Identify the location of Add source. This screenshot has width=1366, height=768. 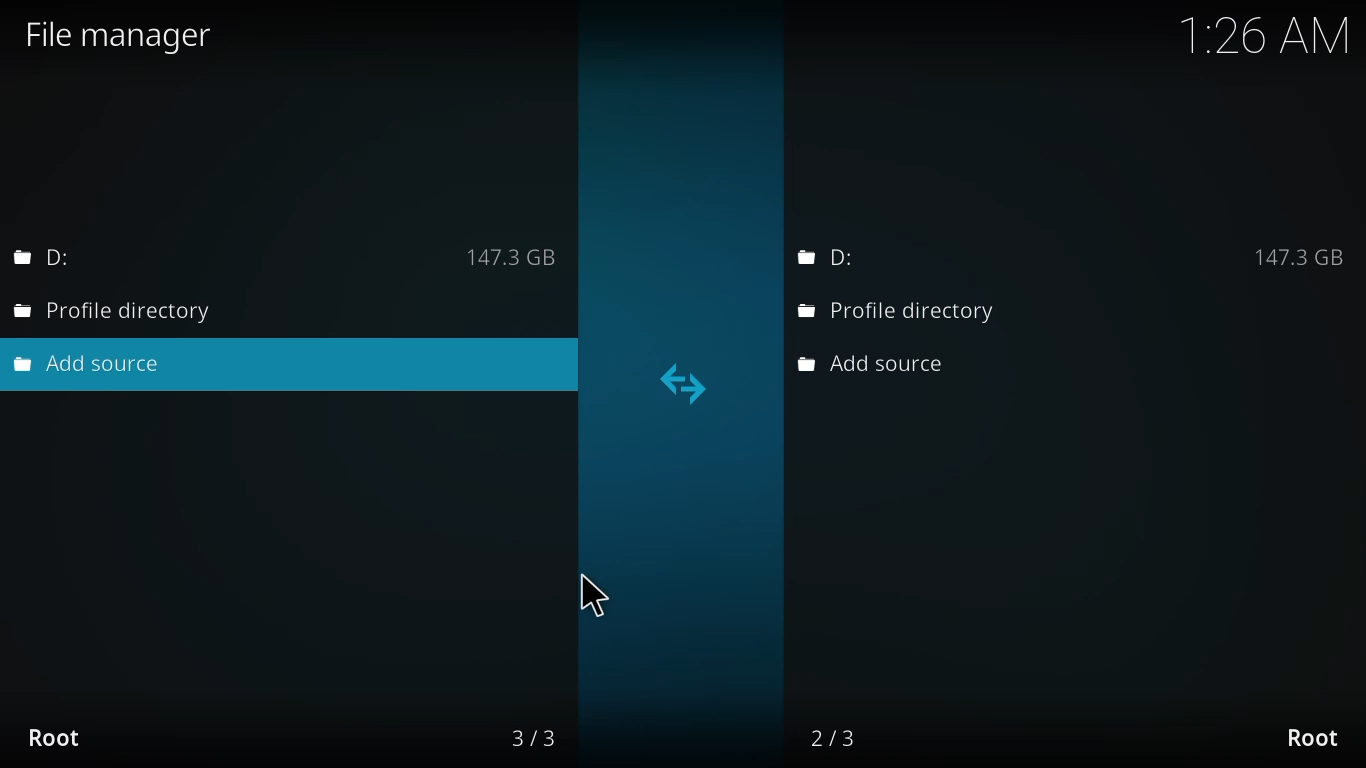
(875, 364).